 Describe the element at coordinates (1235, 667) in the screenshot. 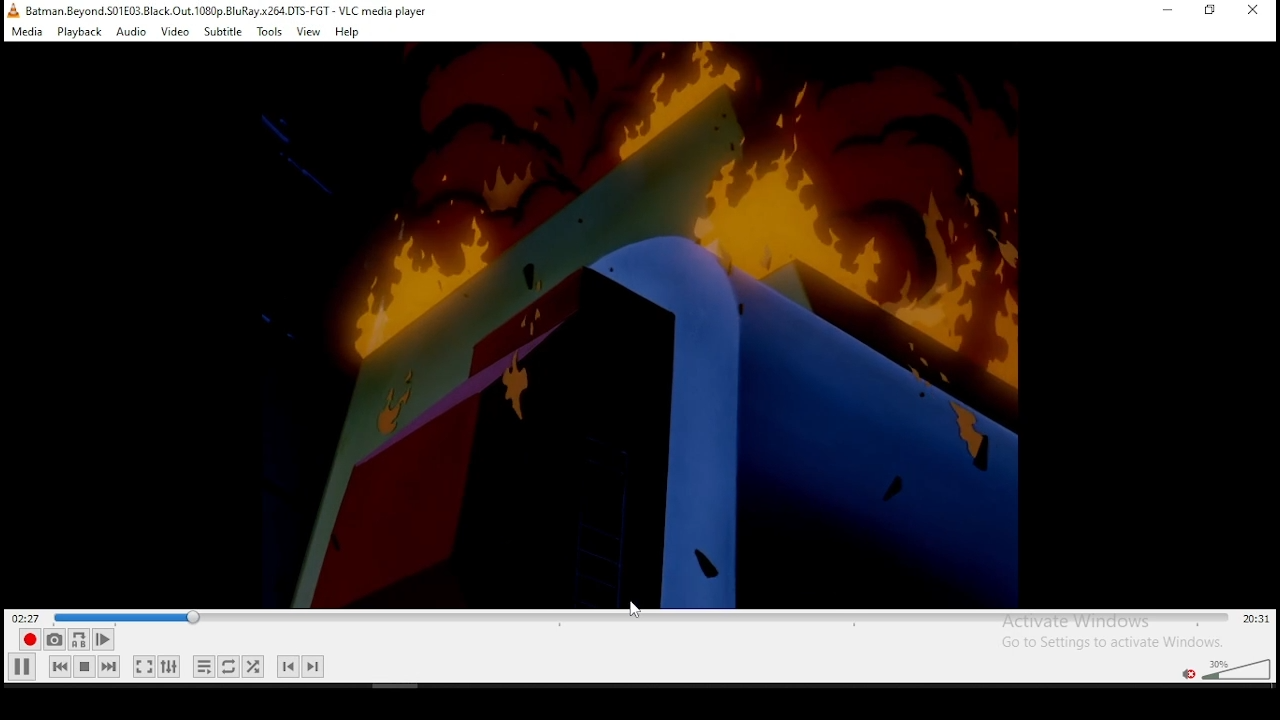

I see `volume` at that location.